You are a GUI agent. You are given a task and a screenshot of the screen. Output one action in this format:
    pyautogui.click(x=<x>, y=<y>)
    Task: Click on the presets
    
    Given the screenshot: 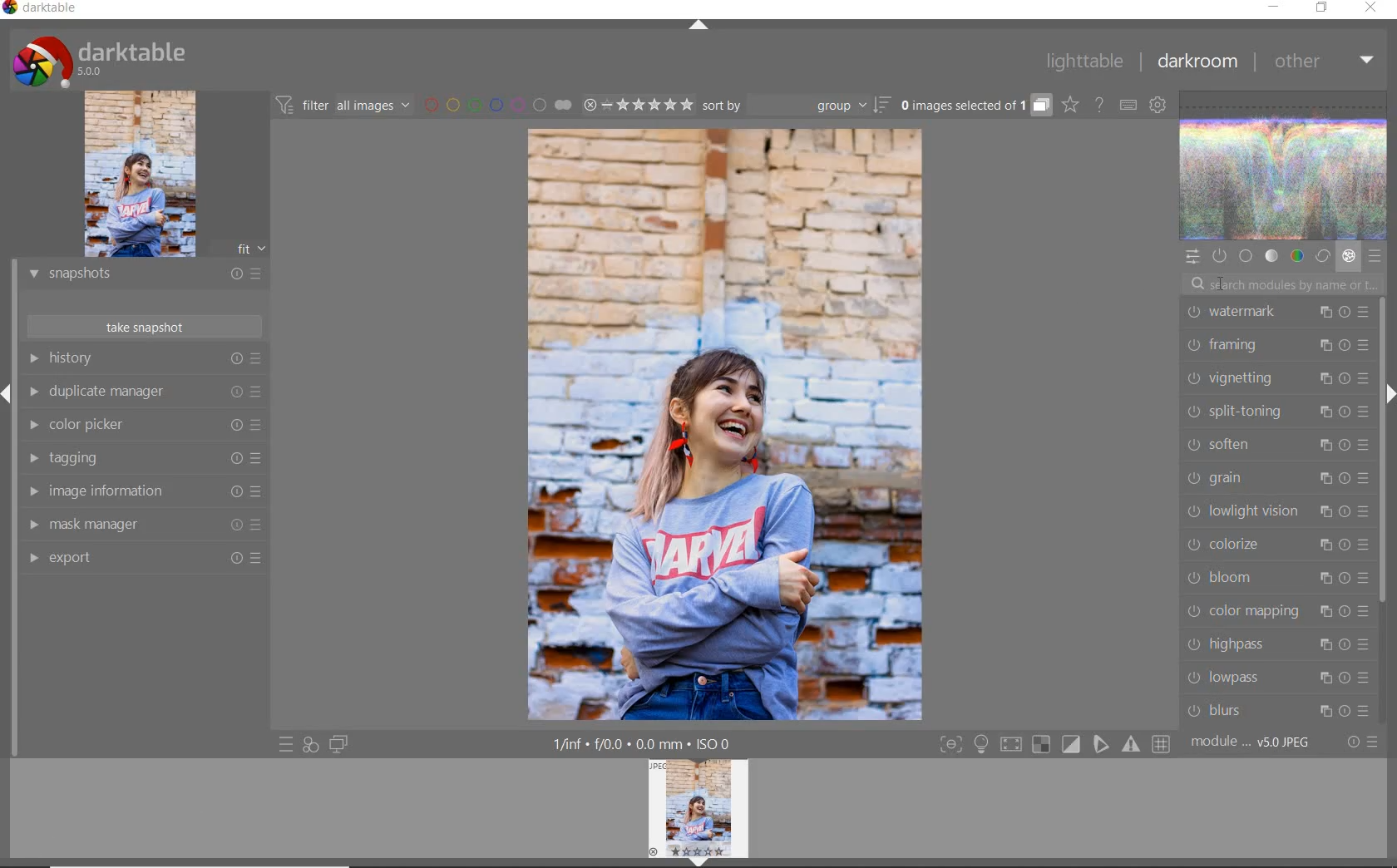 What is the action you would take?
    pyautogui.click(x=1375, y=256)
    